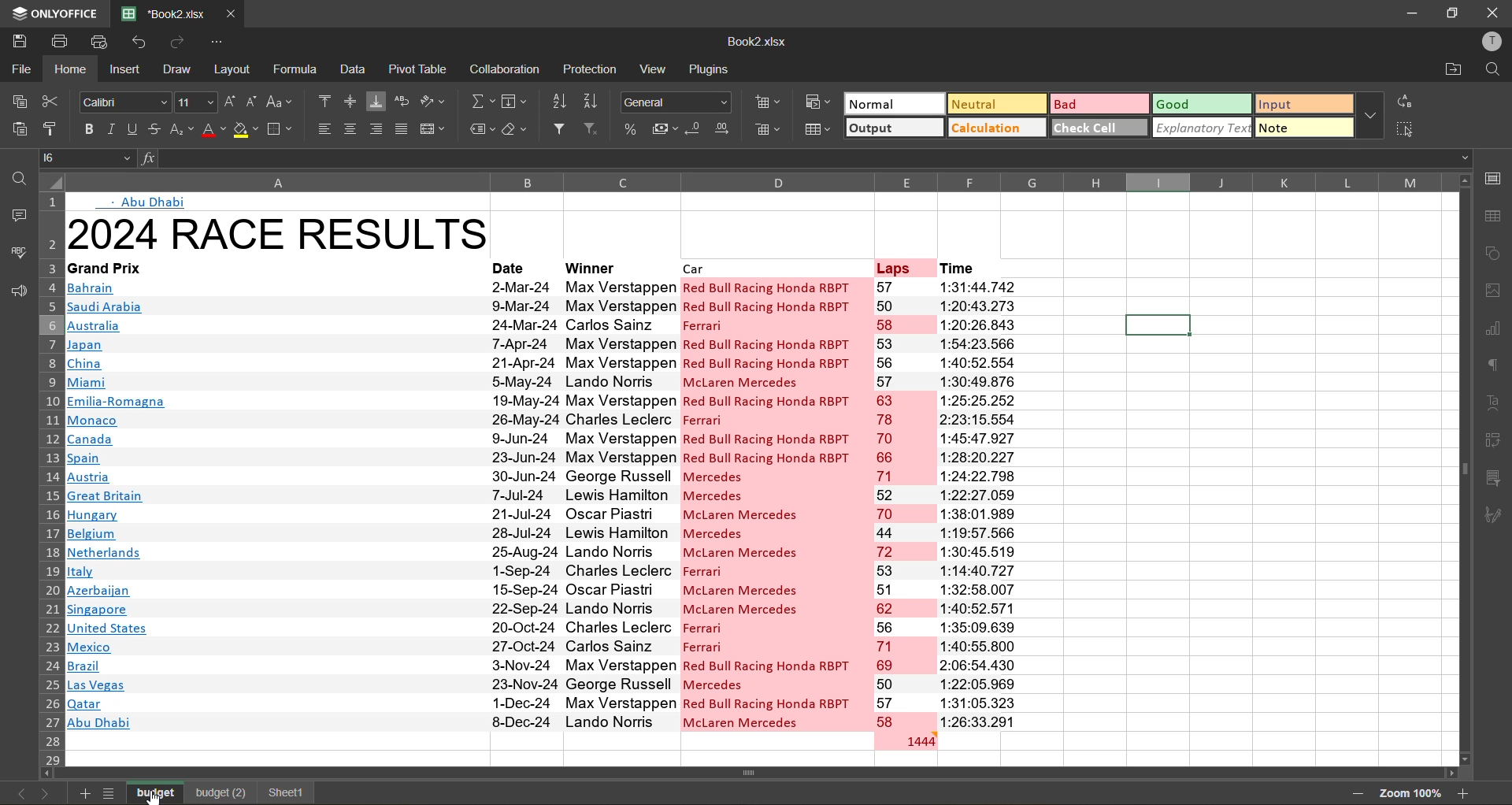  Describe the element at coordinates (1498, 480) in the screenshot. I see `slicer` at that location.